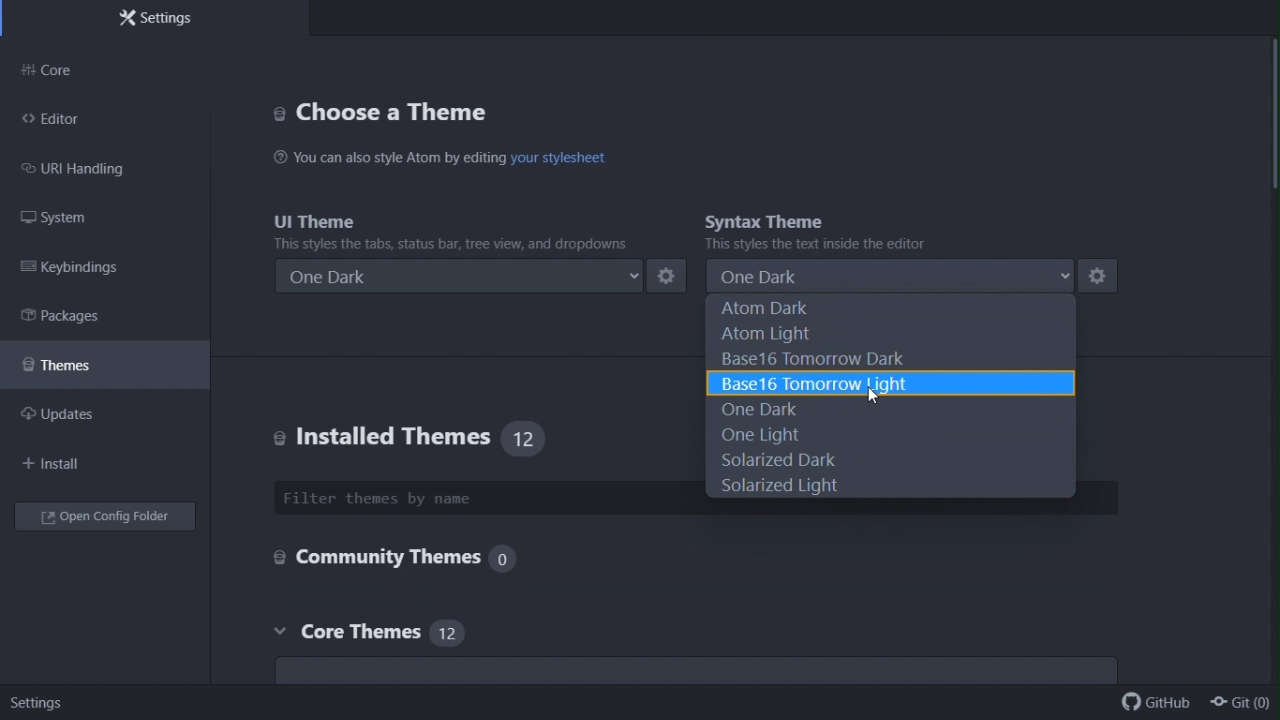 The width and height of the screenshot is (1280, 720). Describe the element at coordinates (1148, 706) in the screenshot. I see `github` at that location.